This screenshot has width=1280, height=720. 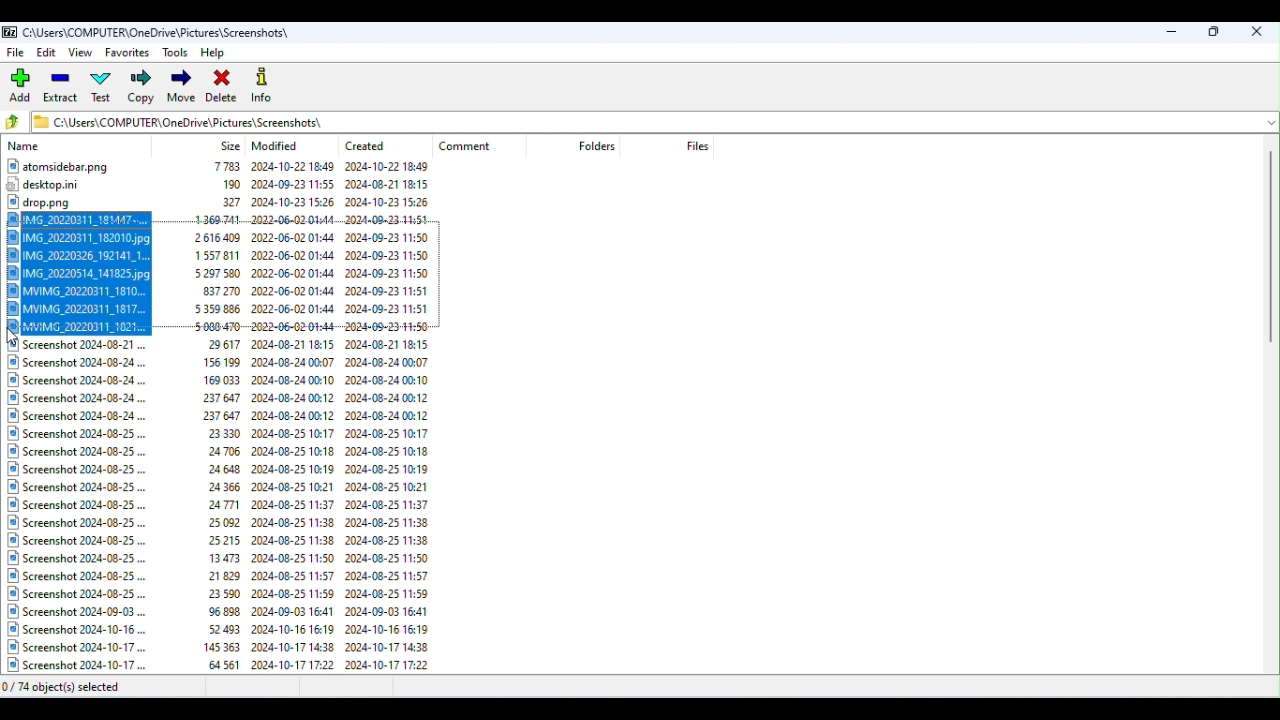 I want to click on File, so click(x=17, y=52).